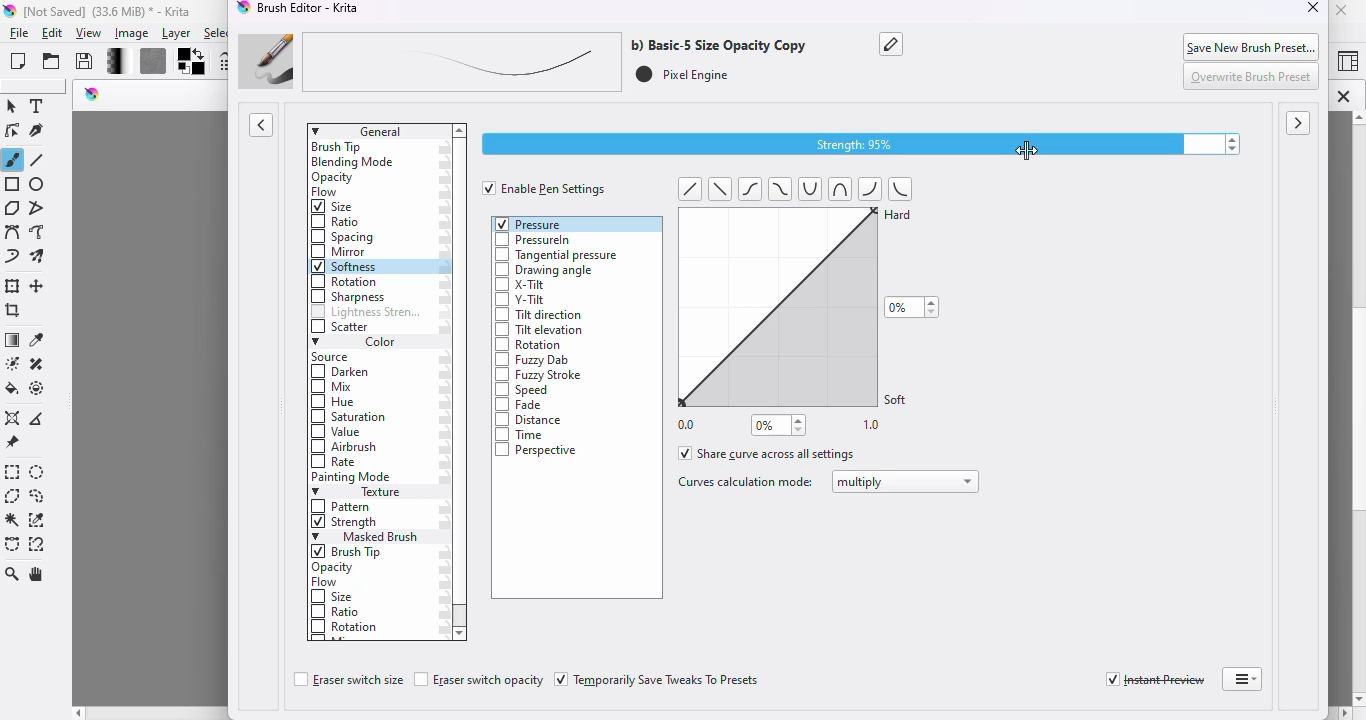 The image size is (1366, 720). What do you see at coordinates (378, 131) in the screenshot?
I see `general settings` at bounding box center [378, 131].